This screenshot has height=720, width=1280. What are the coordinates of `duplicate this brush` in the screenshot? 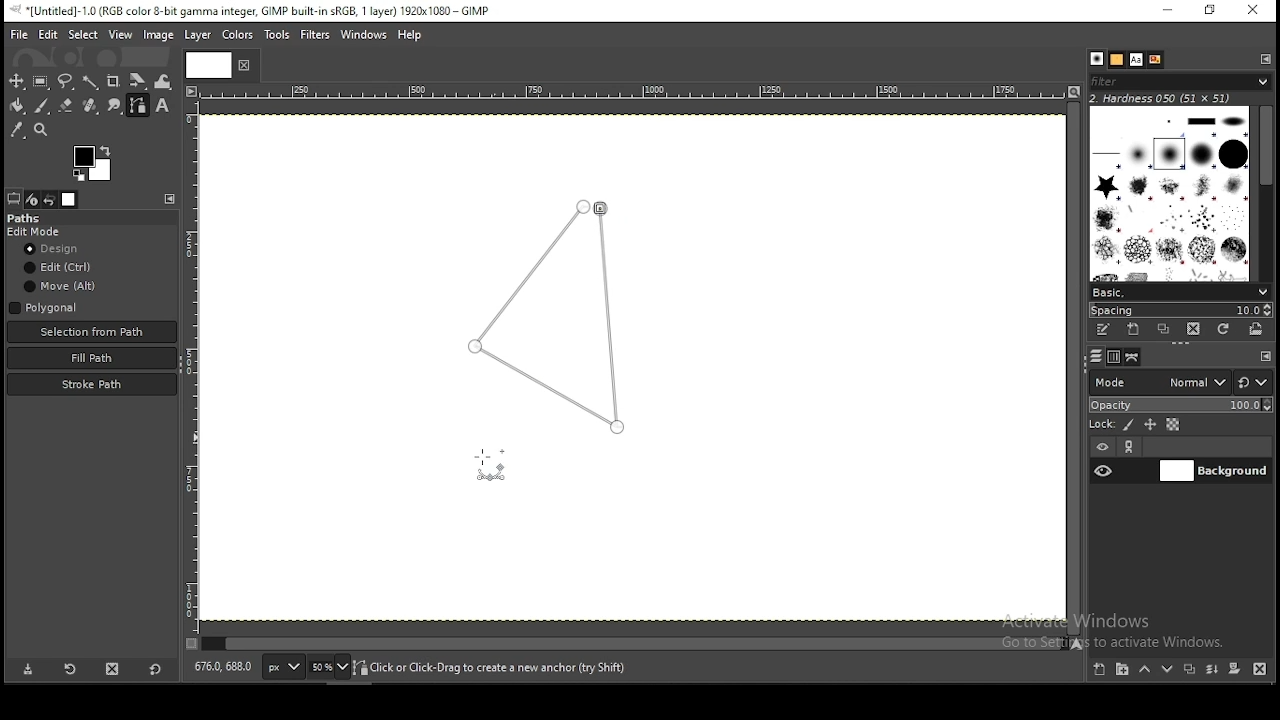 It's located at (1164, 329).